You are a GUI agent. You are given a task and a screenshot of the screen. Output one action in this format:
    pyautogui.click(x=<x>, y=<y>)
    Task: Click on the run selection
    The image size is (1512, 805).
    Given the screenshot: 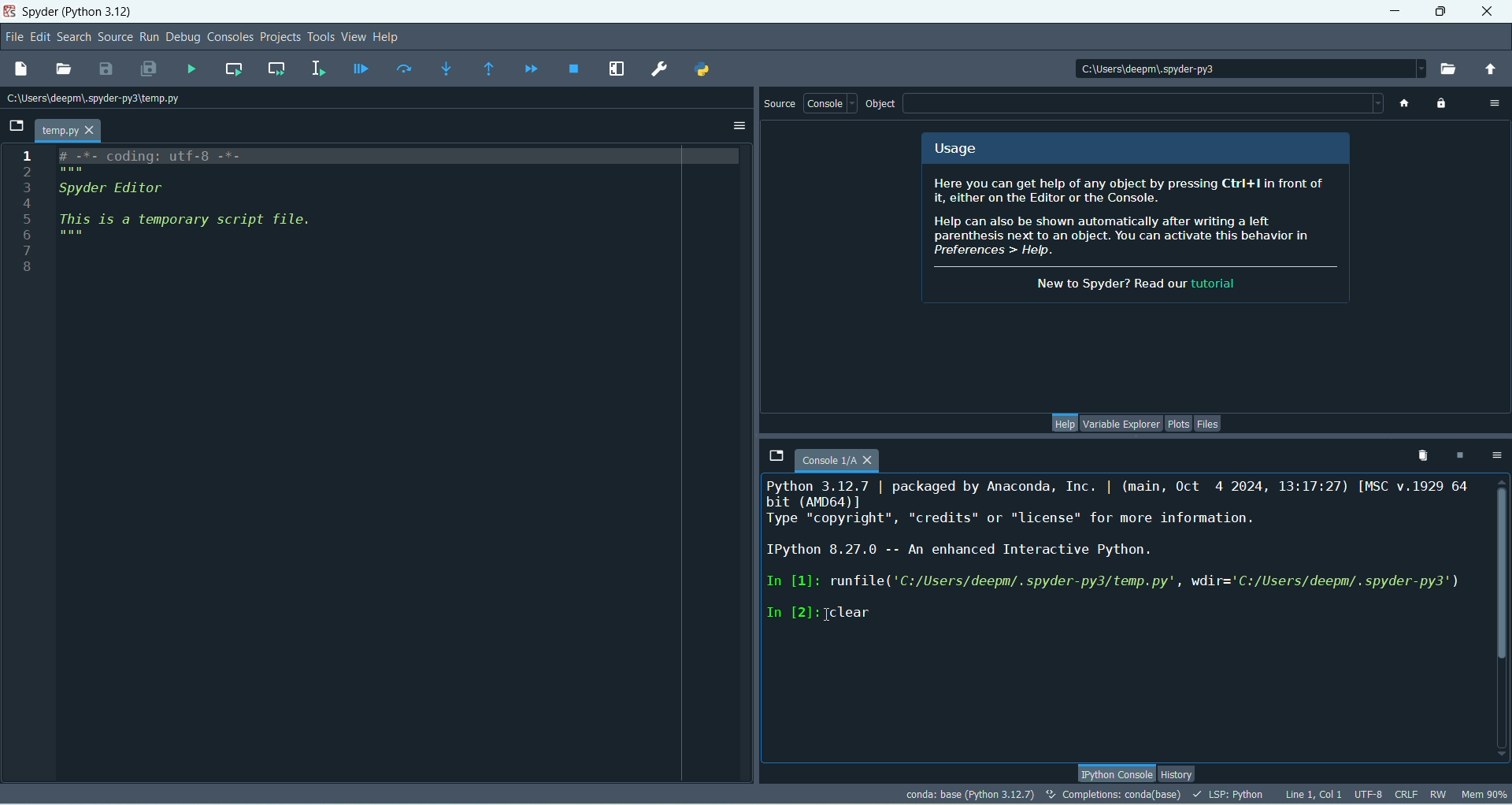 What is the action you would take?
    pyautogui.click(x=318, y=69)
    